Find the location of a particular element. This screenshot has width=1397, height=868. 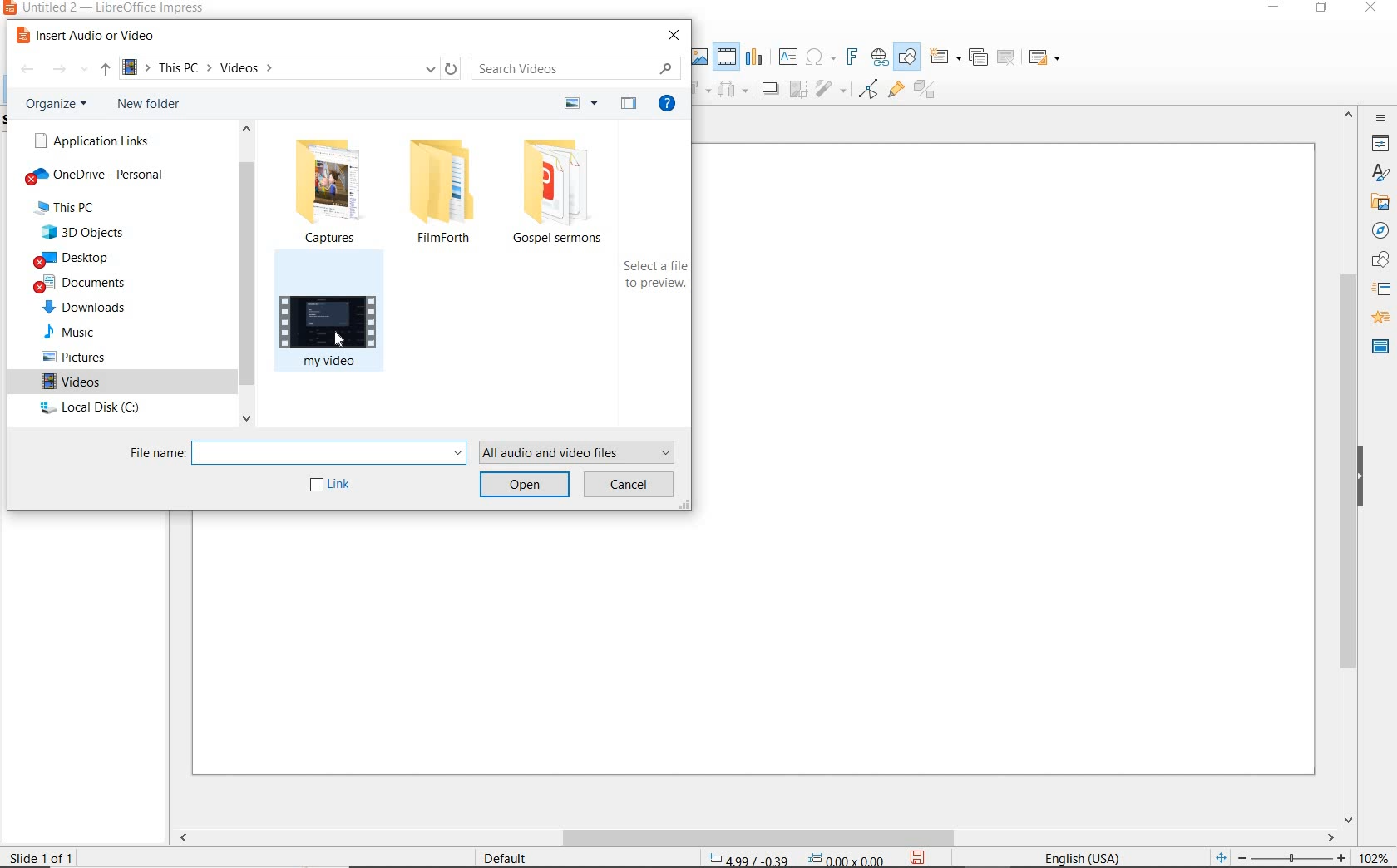

documents is located at coordinates (84, 284).